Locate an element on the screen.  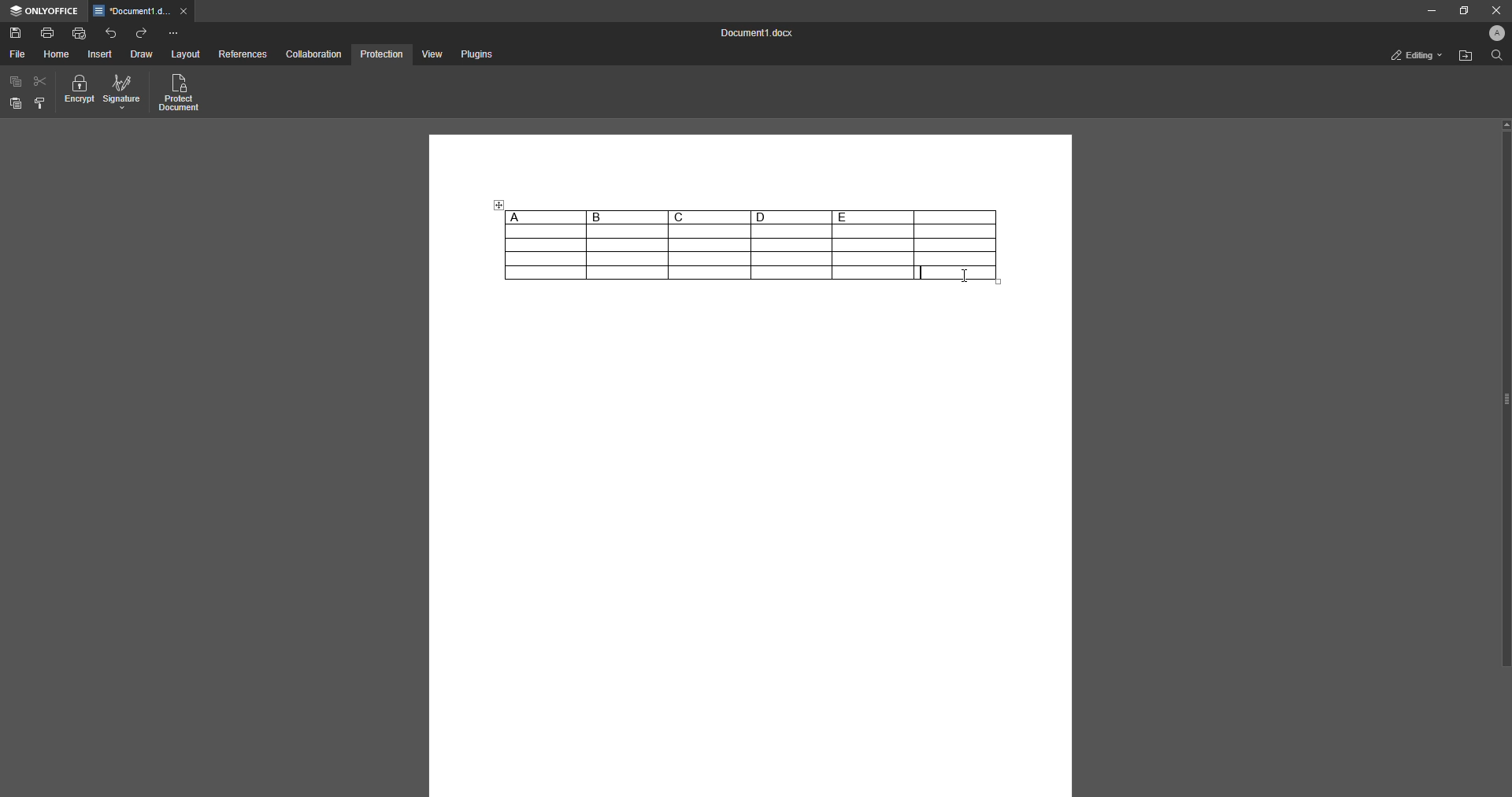
New folder is located at coordinates (1463, 57).